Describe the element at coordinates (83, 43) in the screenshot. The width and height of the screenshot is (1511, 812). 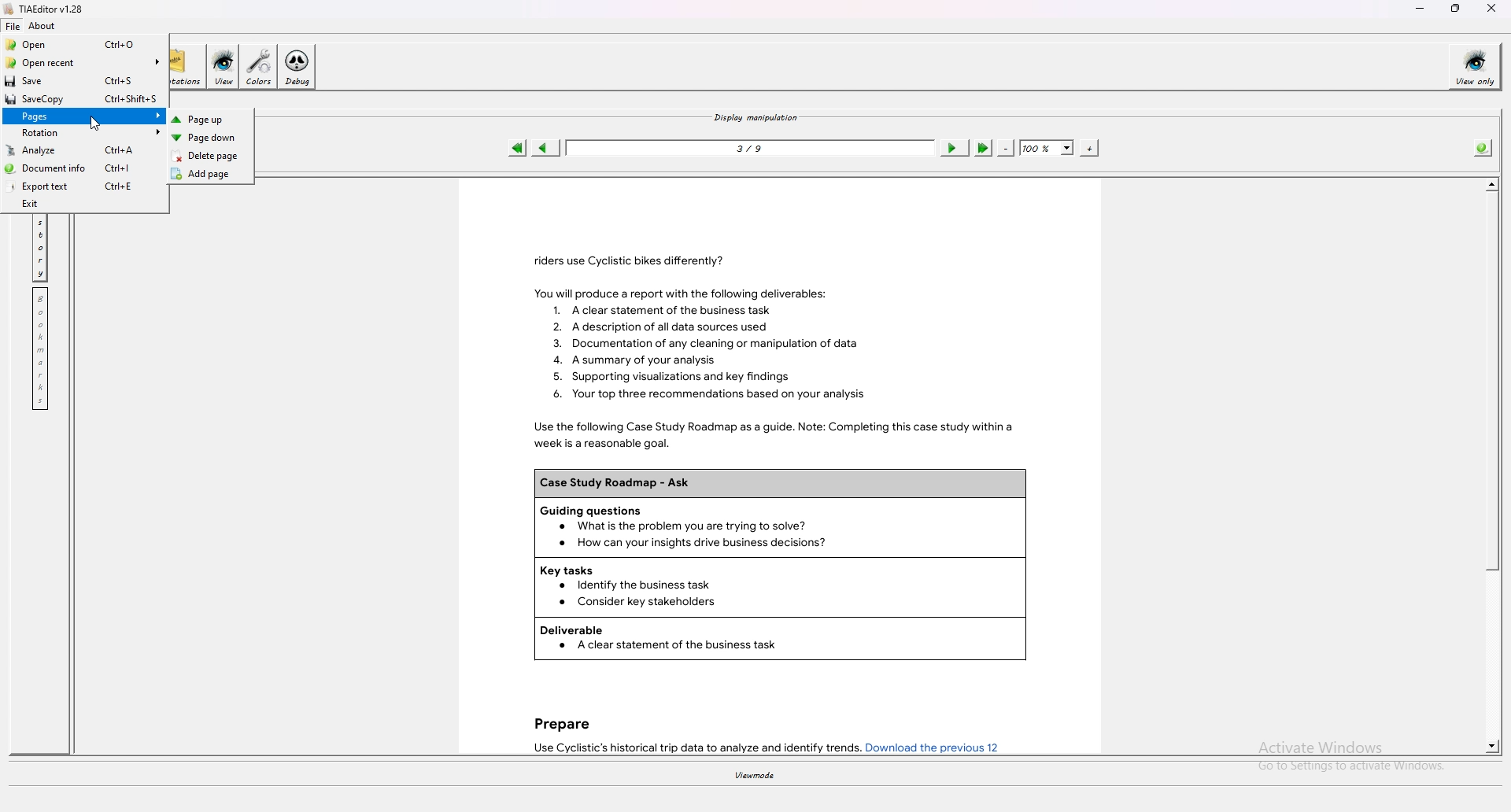
I see `Open Ctrl+O` at that location.